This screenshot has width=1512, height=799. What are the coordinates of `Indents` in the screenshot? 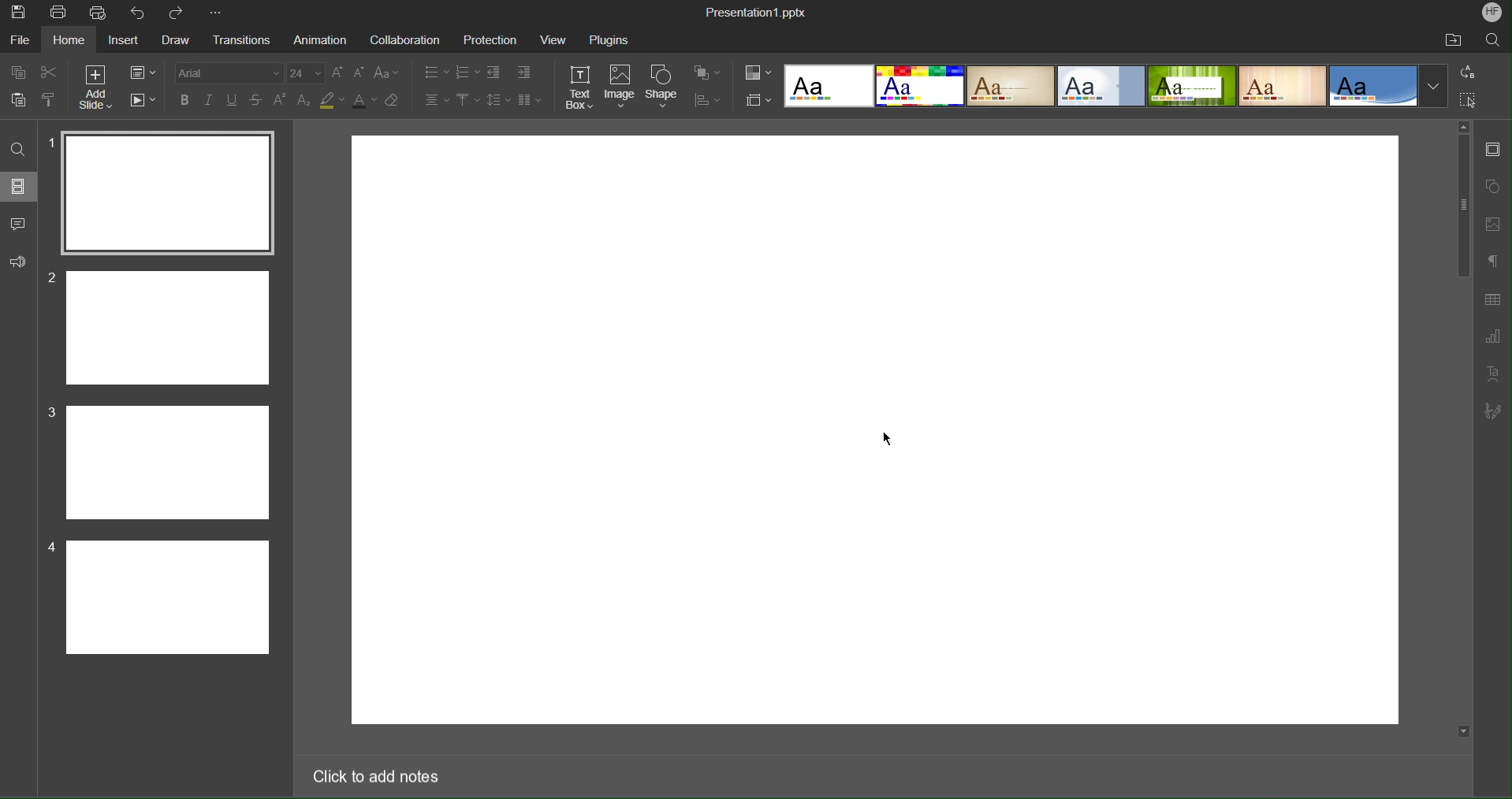 It's located at (513, 71).